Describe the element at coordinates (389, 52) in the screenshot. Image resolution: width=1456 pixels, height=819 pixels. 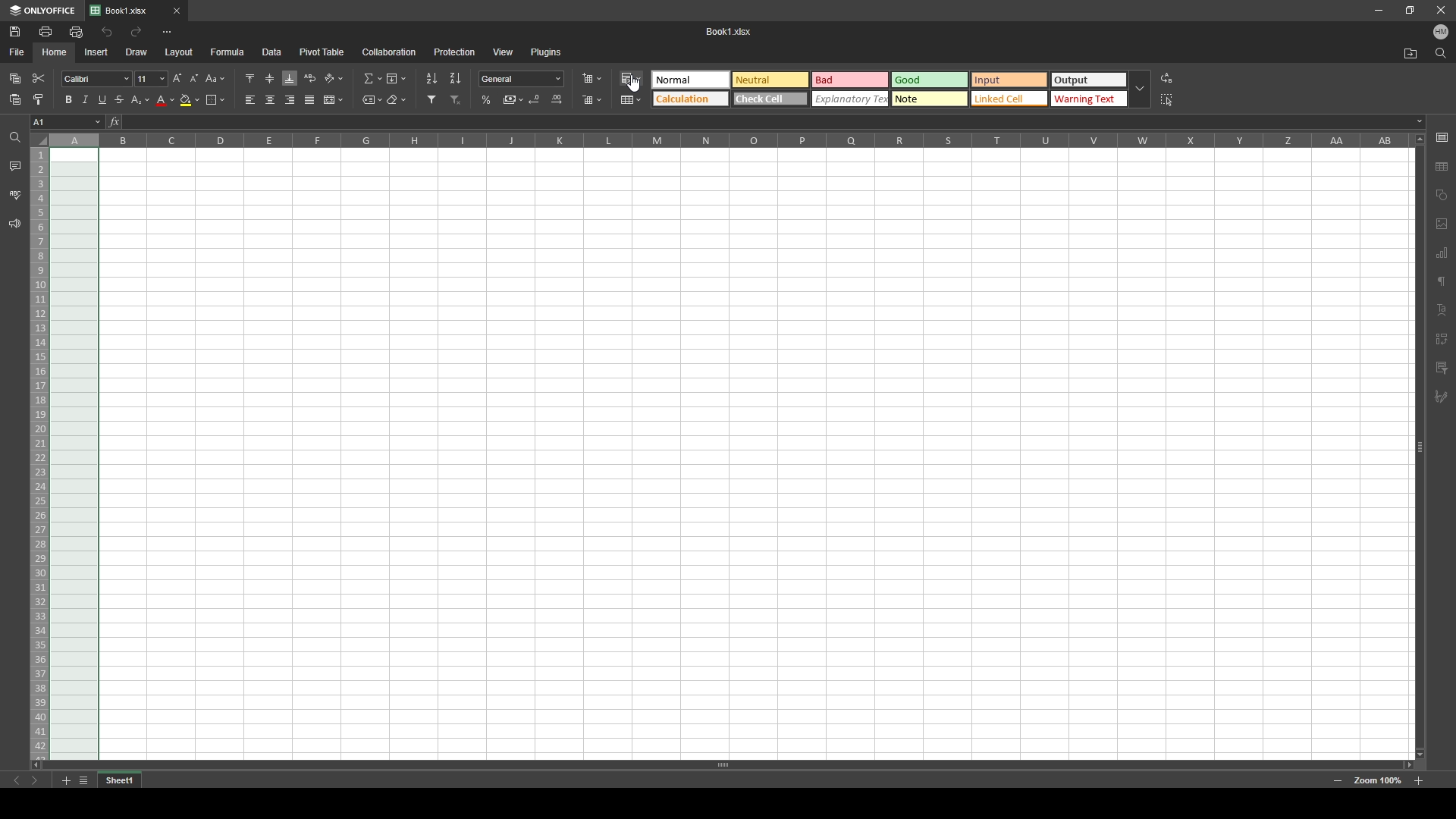
I see `collaboration` at that location.